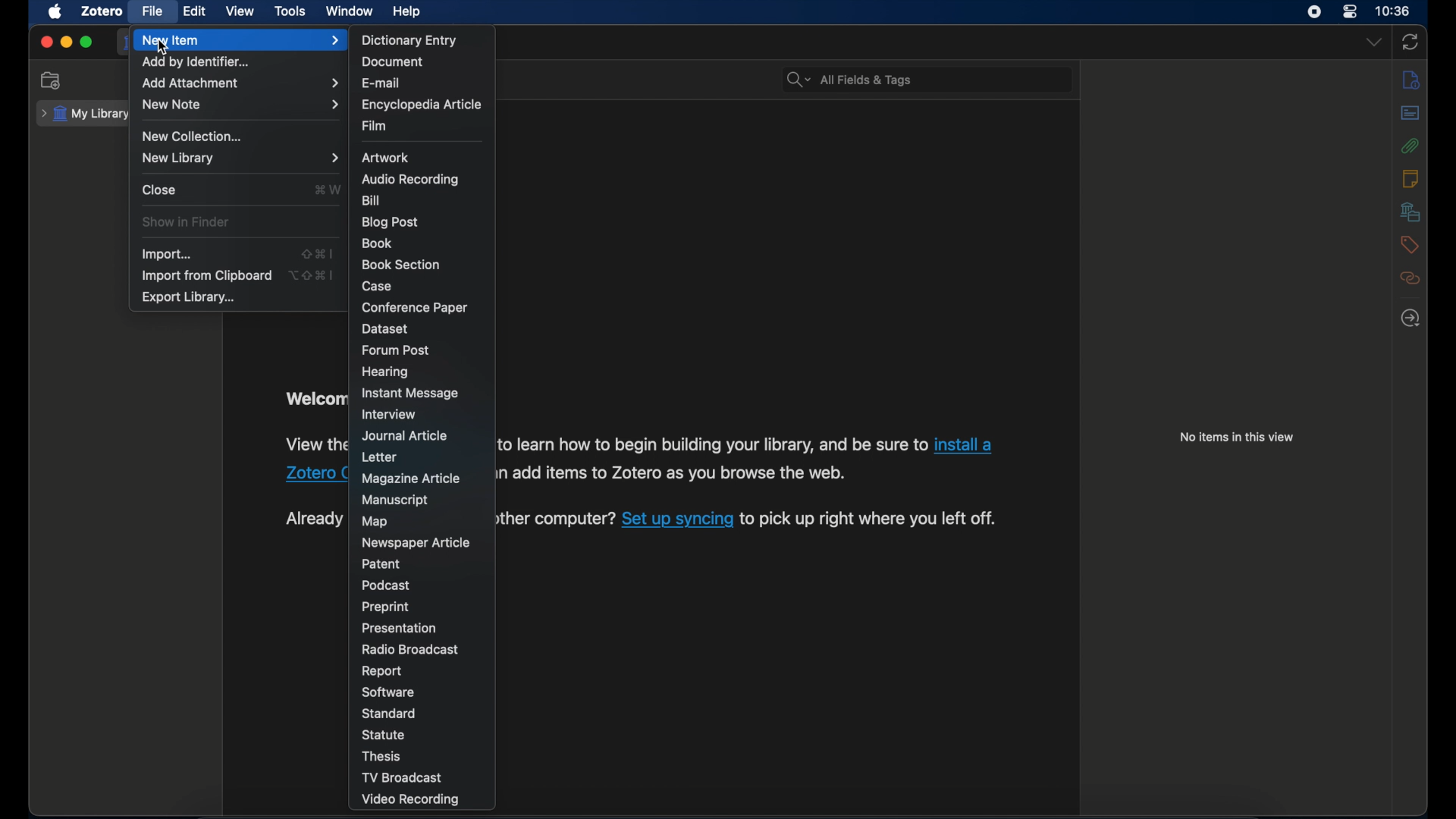 Image resolution: width=1456 pixels, height=819 pixels. I want to click on thesis, so click(383, 756).